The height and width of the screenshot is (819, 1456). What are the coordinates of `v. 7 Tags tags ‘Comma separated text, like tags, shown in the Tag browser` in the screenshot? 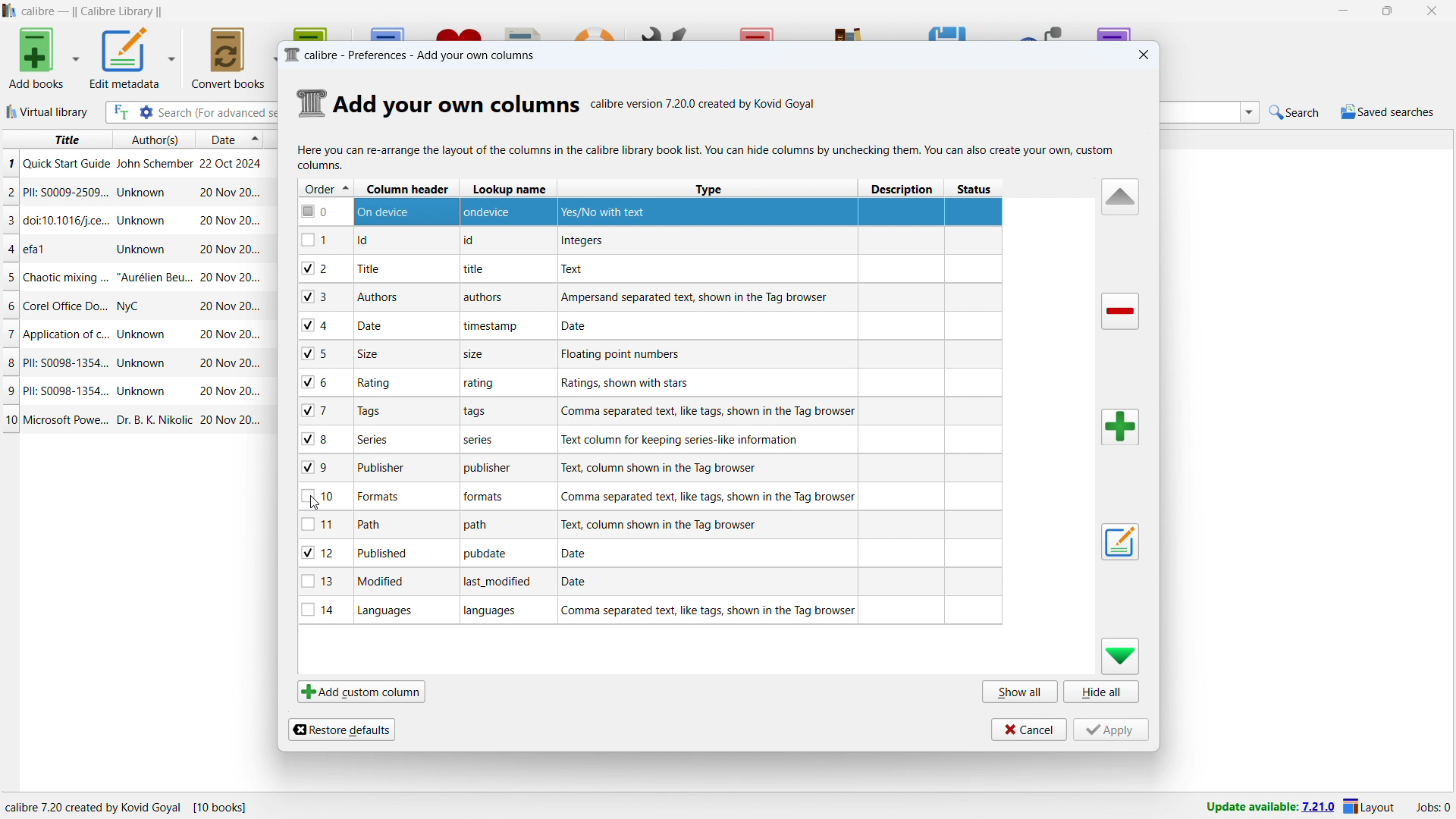 It's located at (648, 411).